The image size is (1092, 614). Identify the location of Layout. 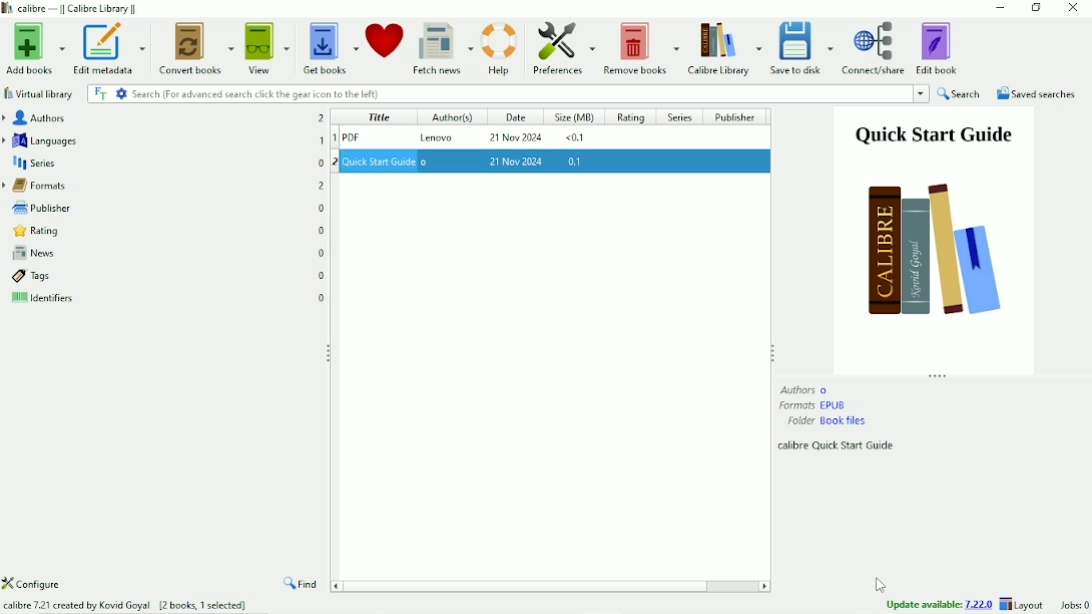
(1024, 604).